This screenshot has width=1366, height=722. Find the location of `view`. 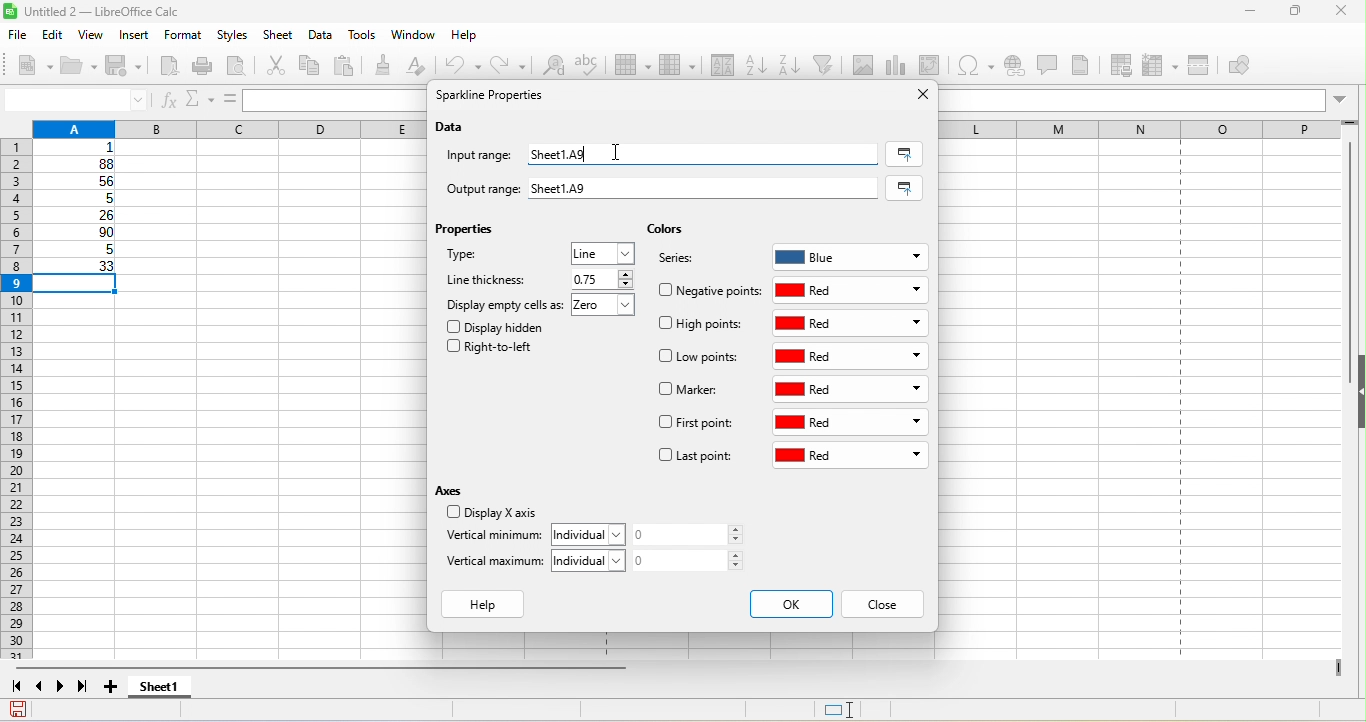

view is located at coordinates (96, 35).